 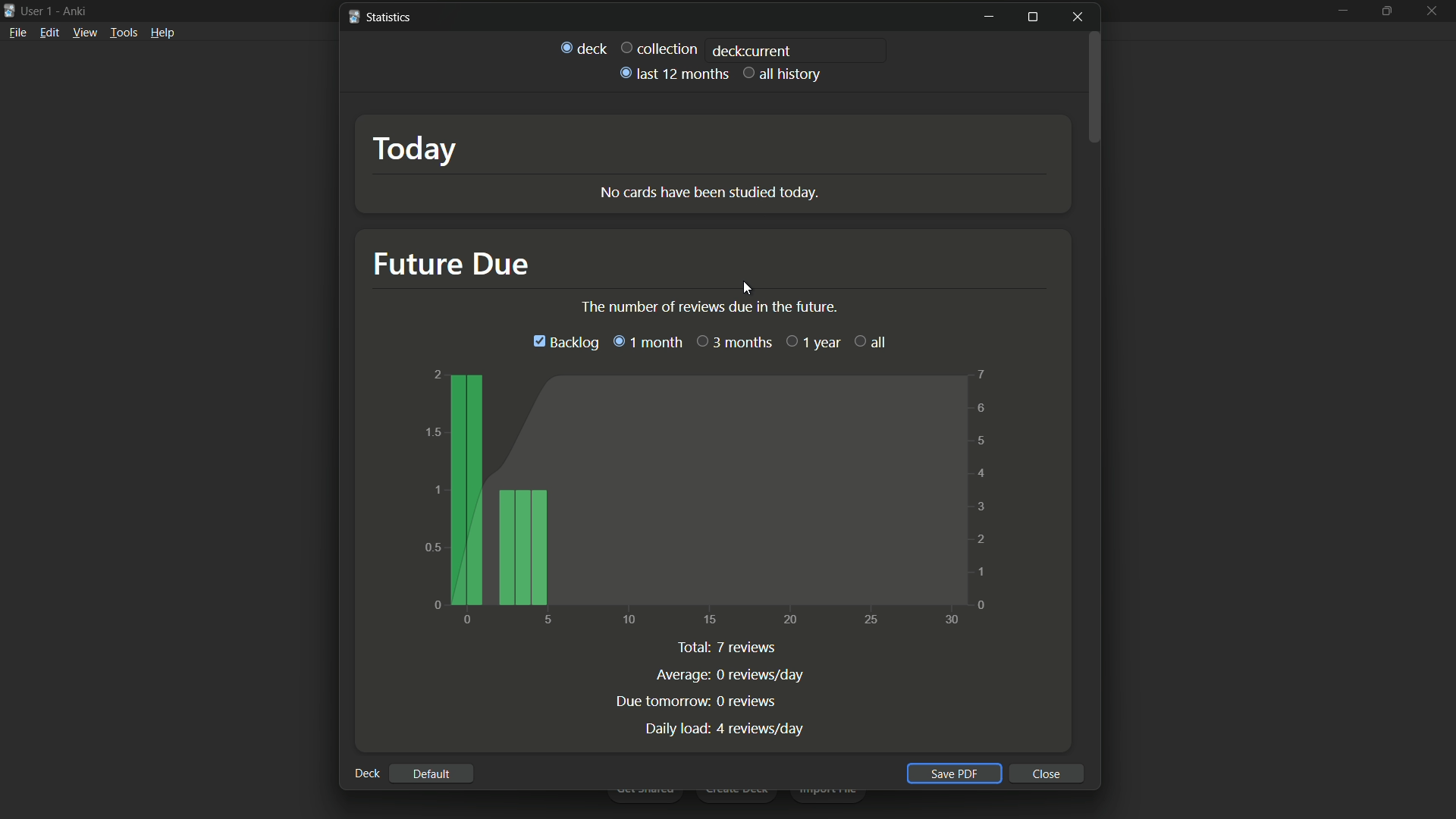 What do you see at coordinates (724, 729) in the screenshot?
I see `daily load : 4 reviews per day` at bounding box center [724, 729].